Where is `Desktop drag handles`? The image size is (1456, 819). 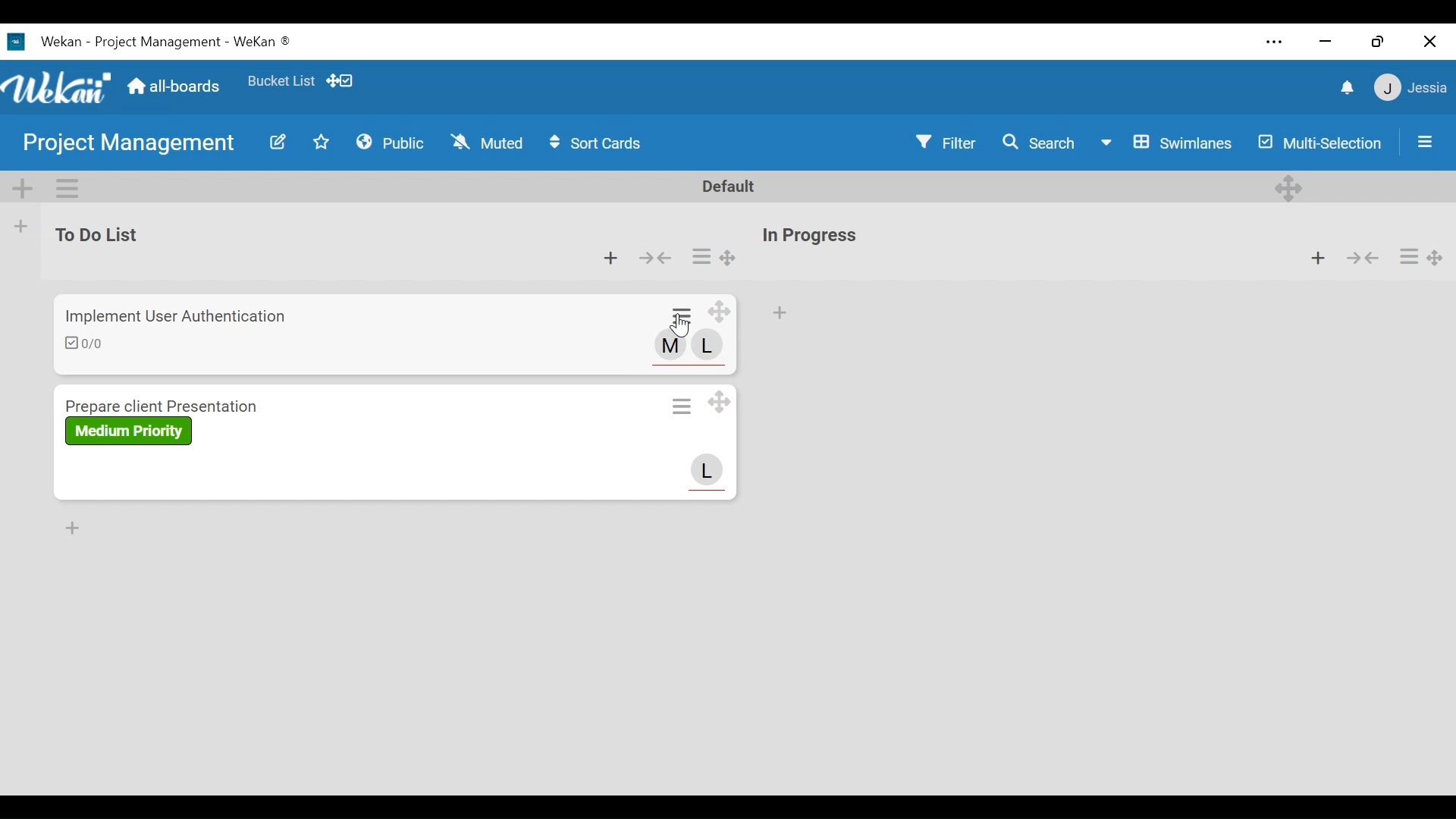 Desktop drag handles is located at coordinates (720, 313).